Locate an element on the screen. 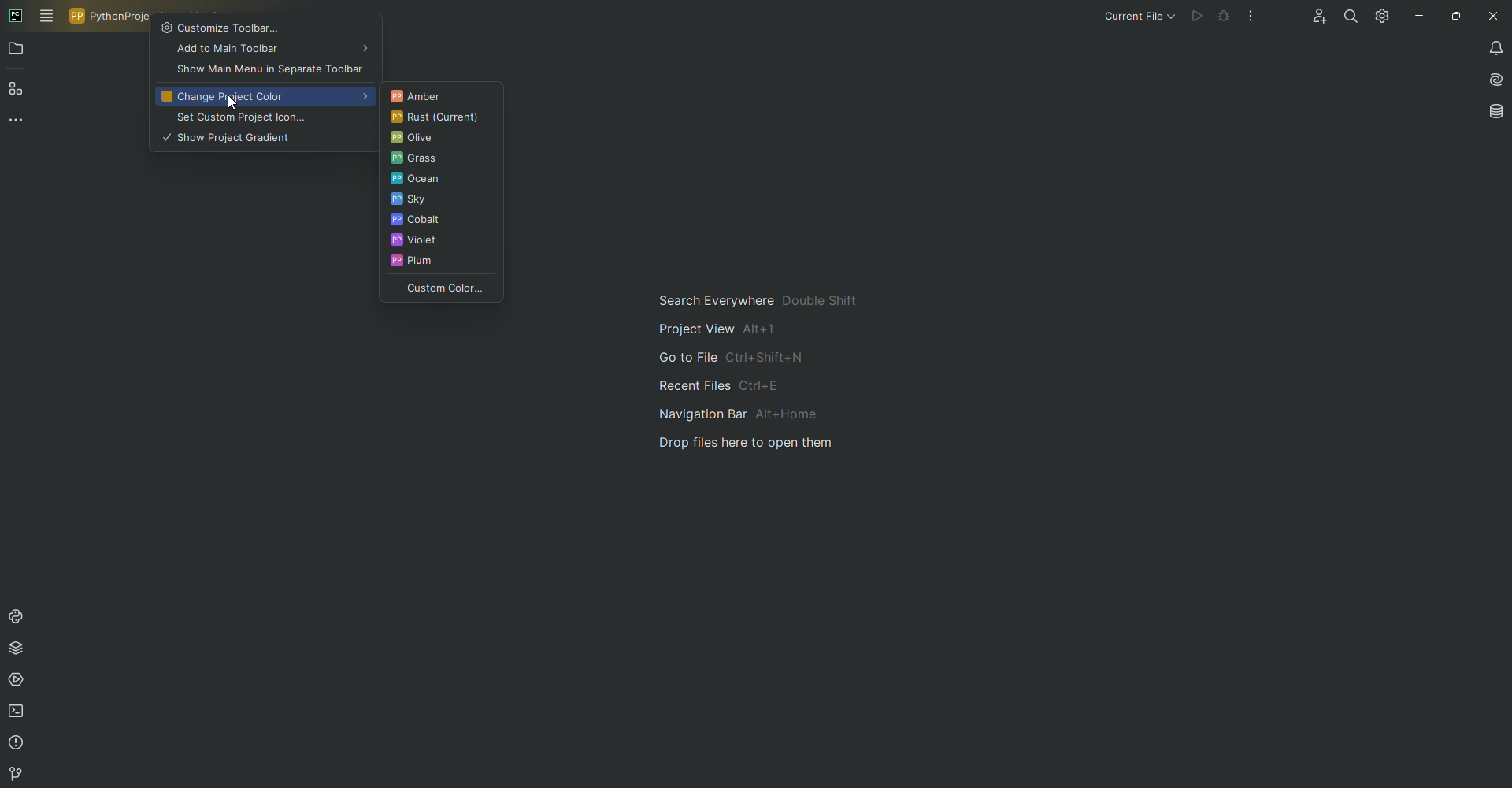  Problems is located at coordinates (17, 745).